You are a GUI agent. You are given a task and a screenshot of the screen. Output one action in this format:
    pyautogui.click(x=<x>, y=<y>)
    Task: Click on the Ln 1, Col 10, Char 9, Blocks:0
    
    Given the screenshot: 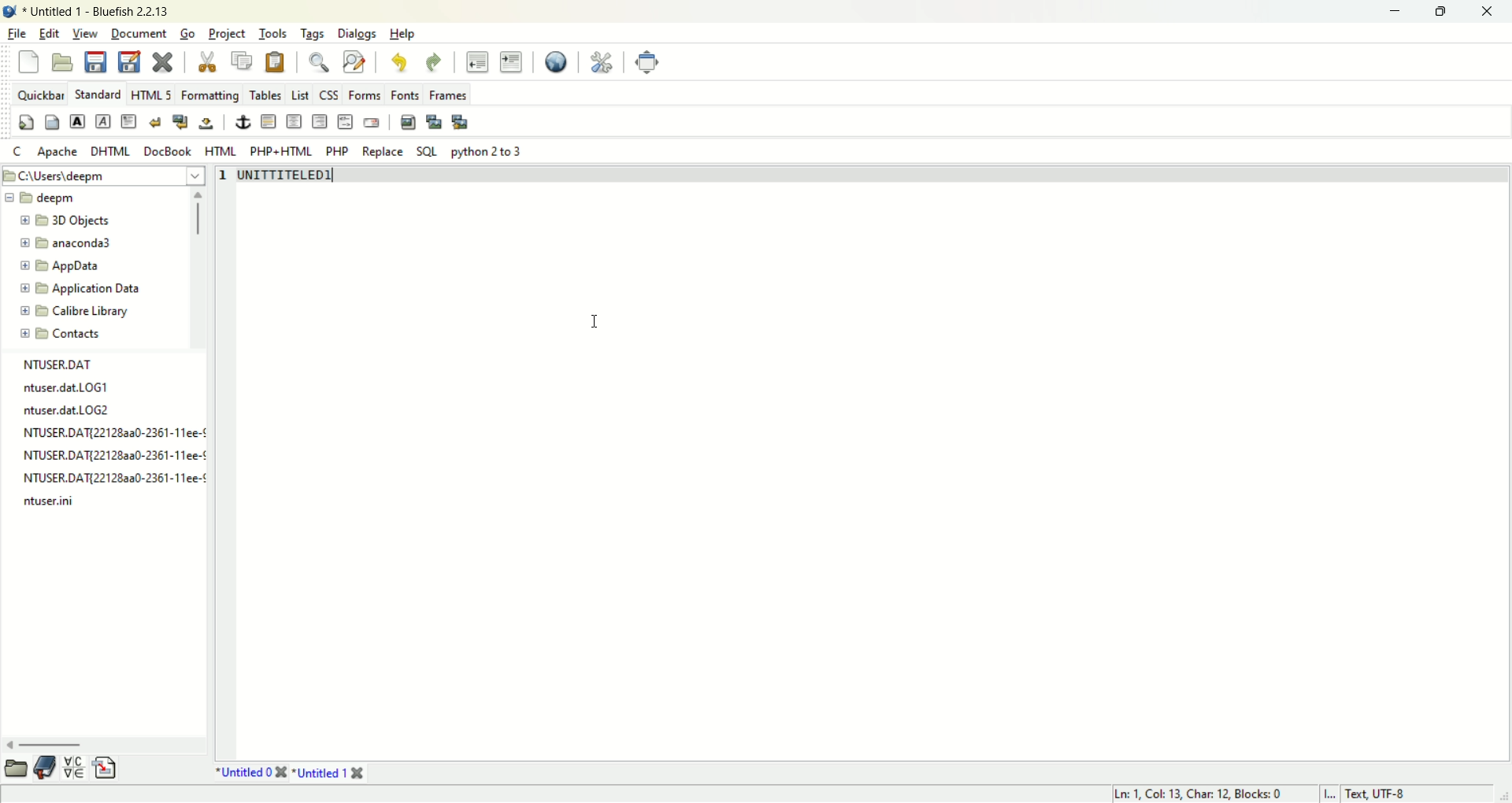 What is the action you would take?
    pyautogui.click(x=1199, y=793)
    